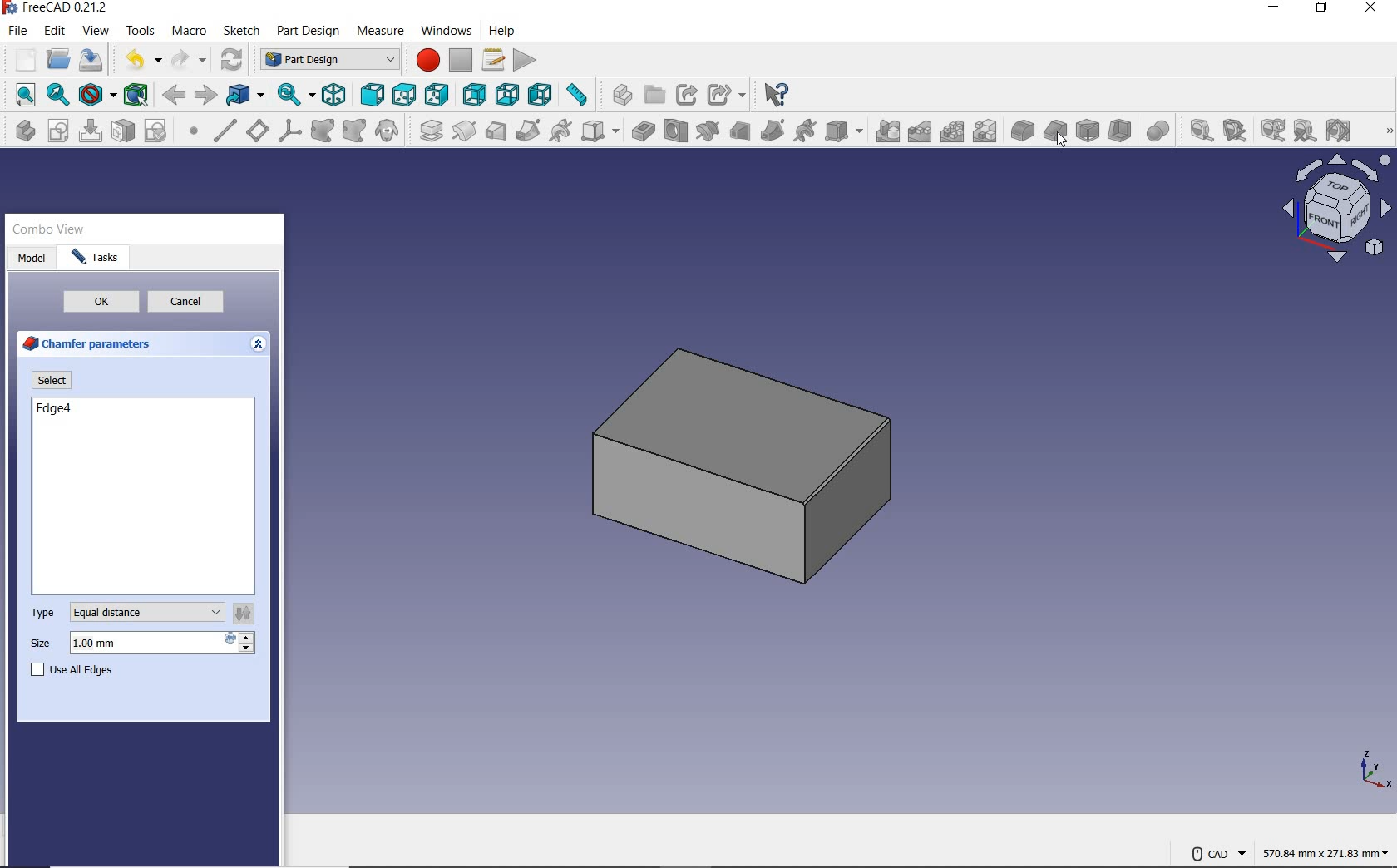 This screenshot has height=868, width=1397. I want to click on refresh, so click(234, 59).